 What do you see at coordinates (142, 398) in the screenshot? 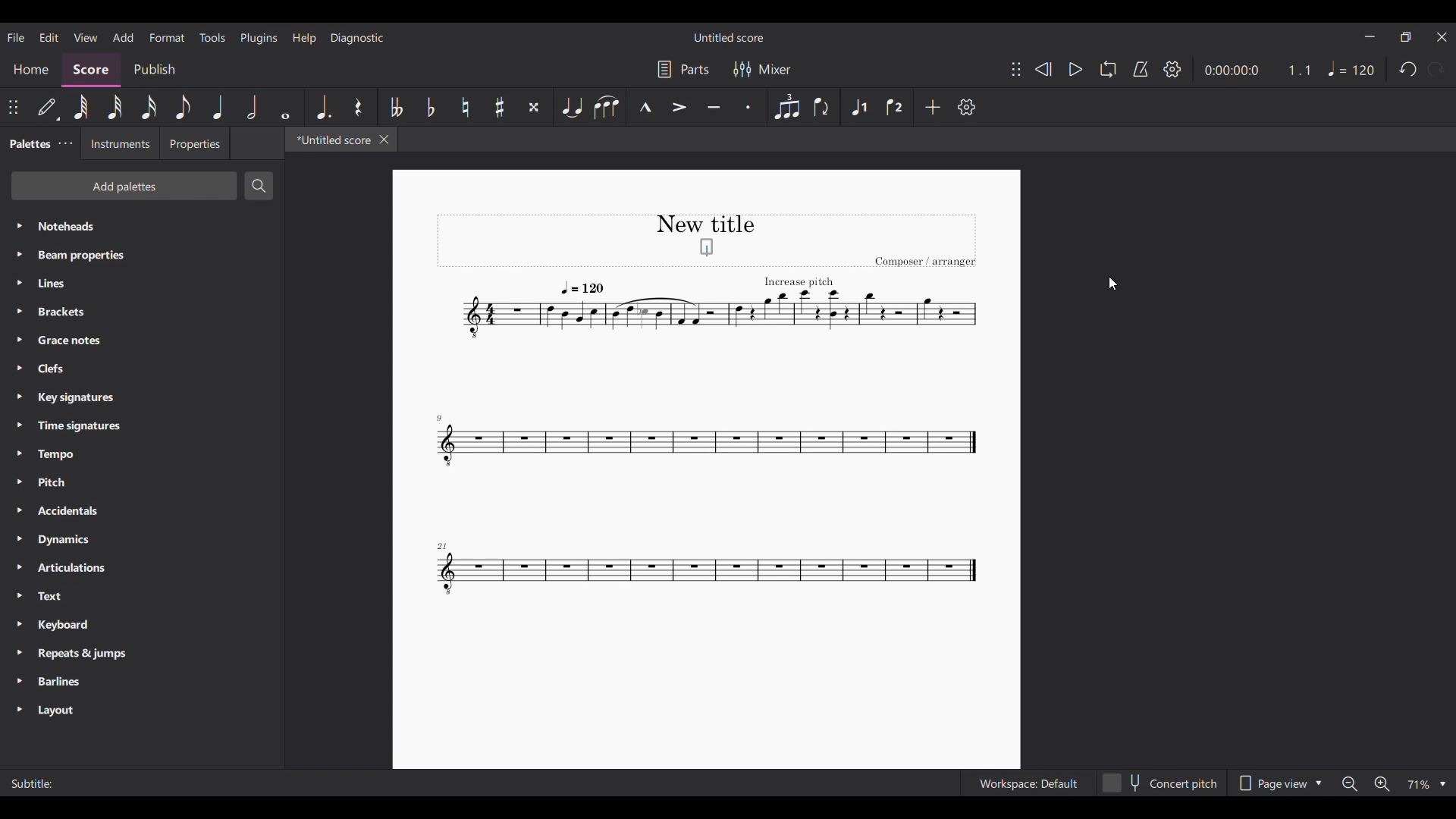
I see `Key signatures` at bounding box center [142, 398].